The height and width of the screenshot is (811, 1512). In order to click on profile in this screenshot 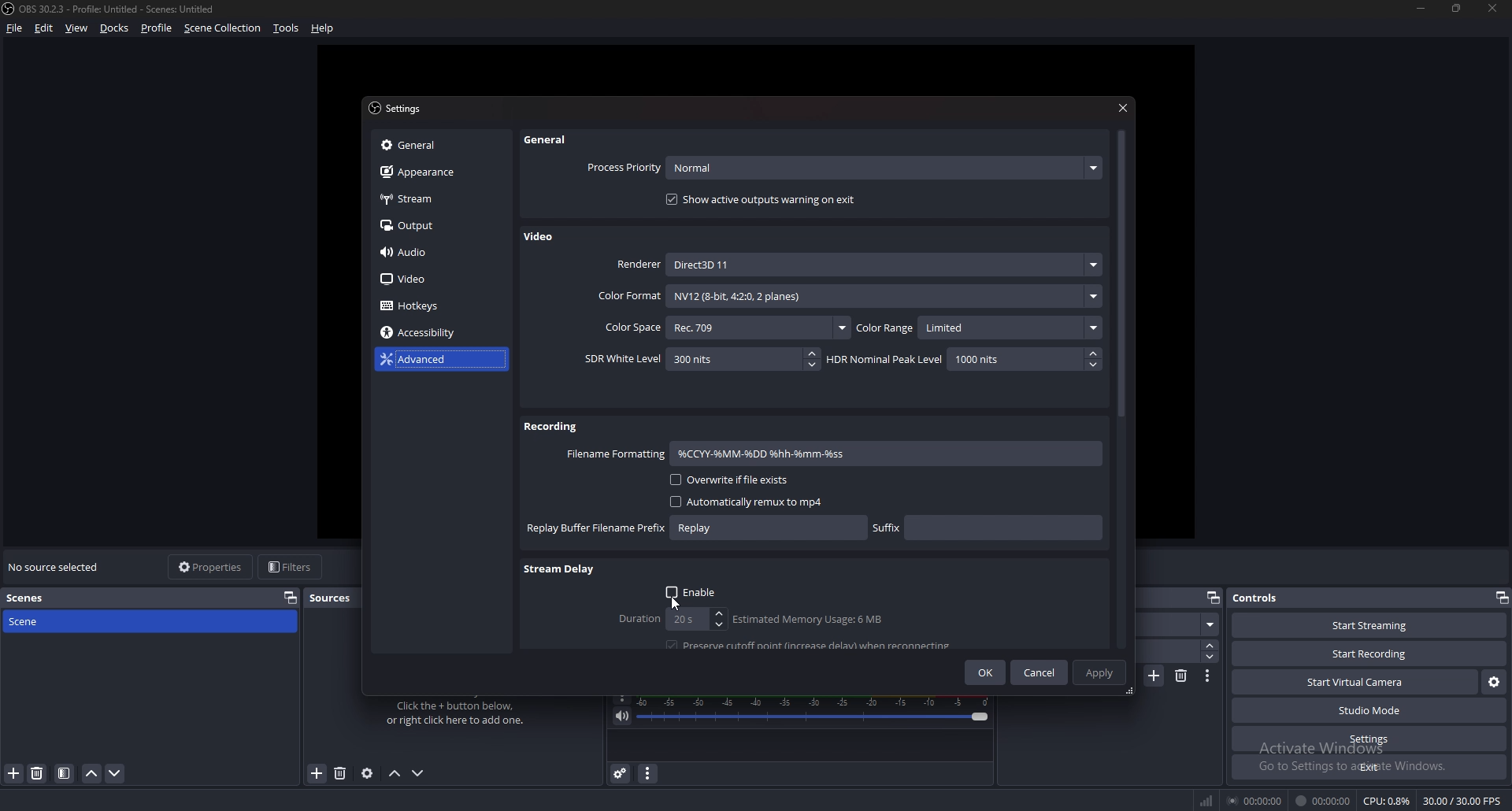, I will do `click(159, 28)`.